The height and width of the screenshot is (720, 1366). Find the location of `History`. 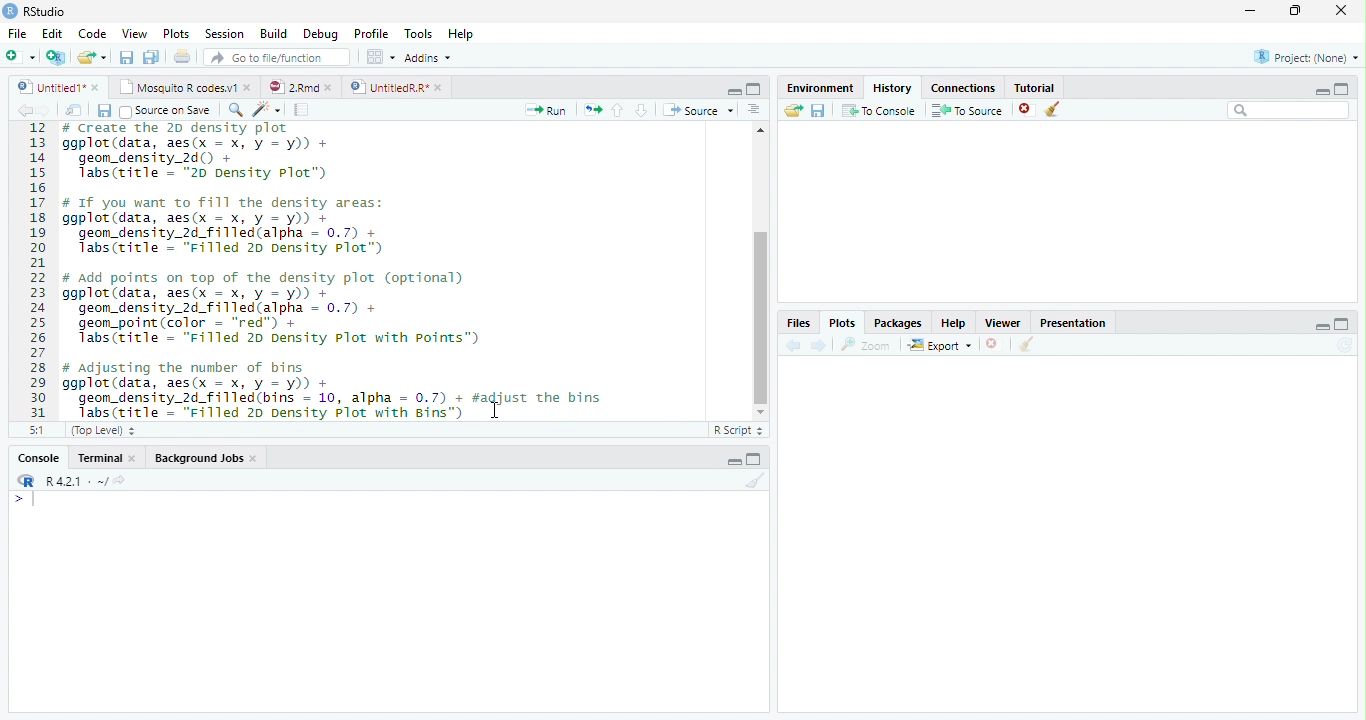

History is located at coordinates (892, 88).